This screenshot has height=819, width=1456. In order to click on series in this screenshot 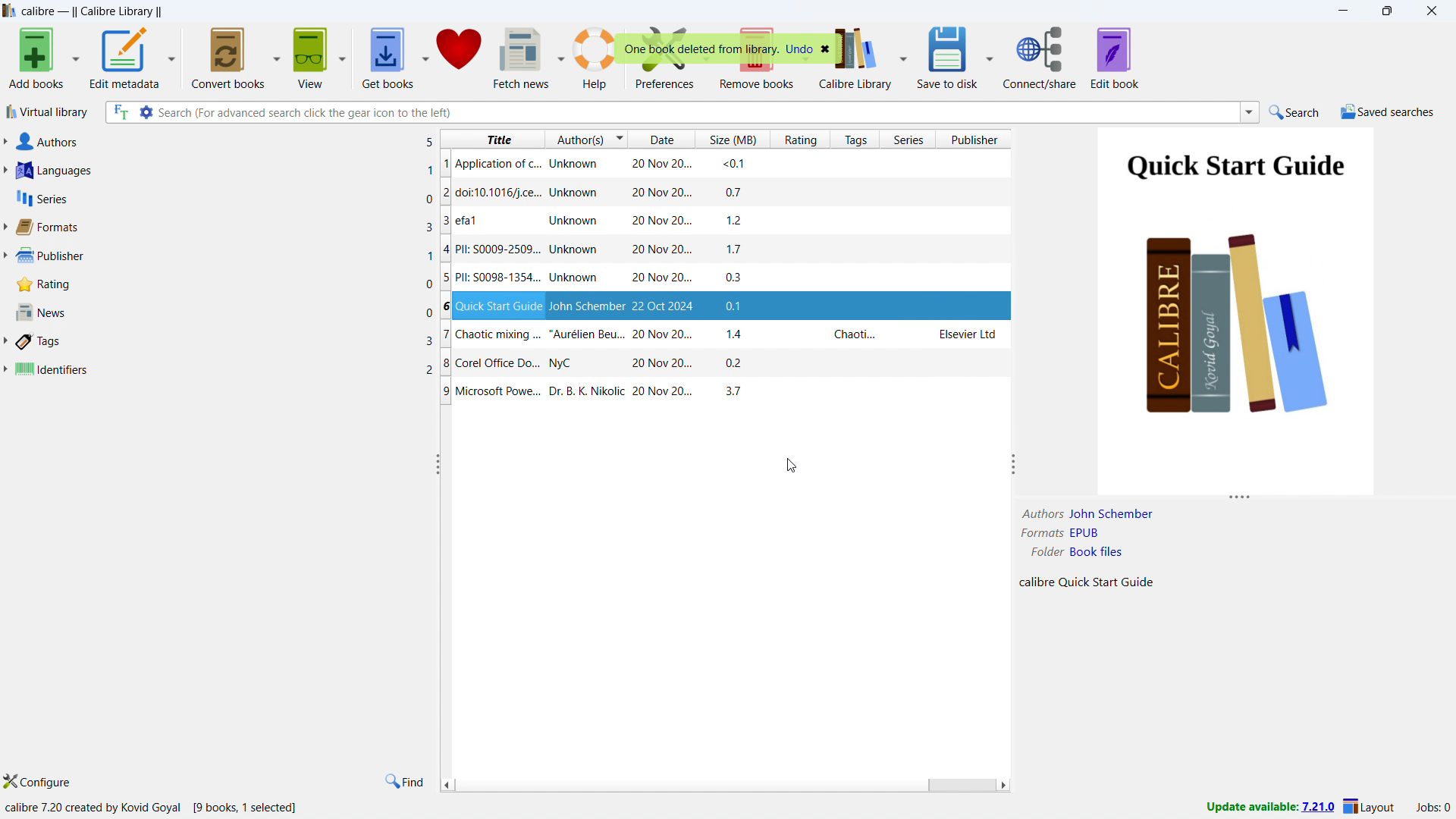, I will do `click(224, 198)`.